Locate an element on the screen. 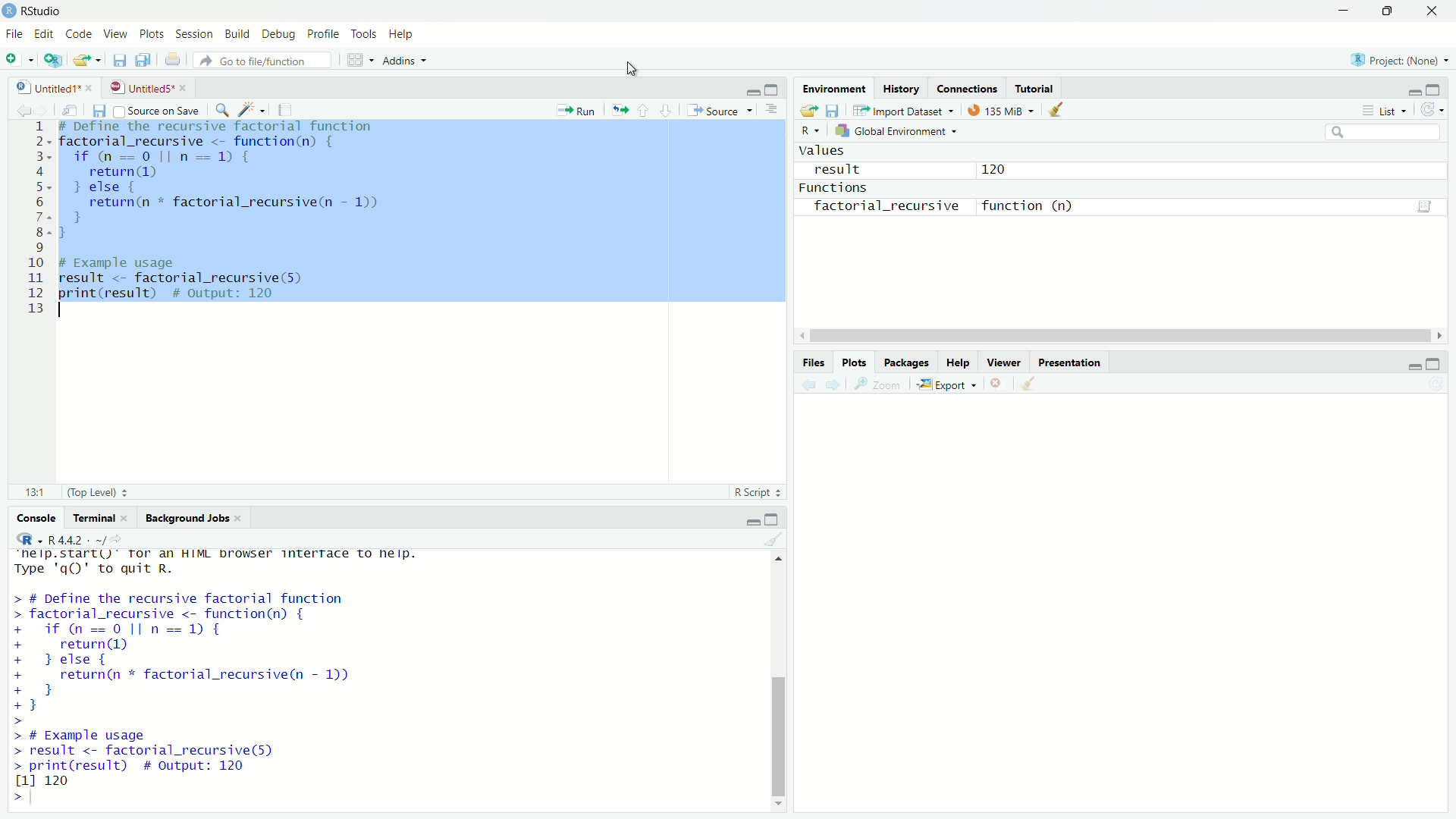 This screenshot has height=819, width=1456. Go to next section/chunk (Ctrl + pgDn) is located at coordinates (664, 109).